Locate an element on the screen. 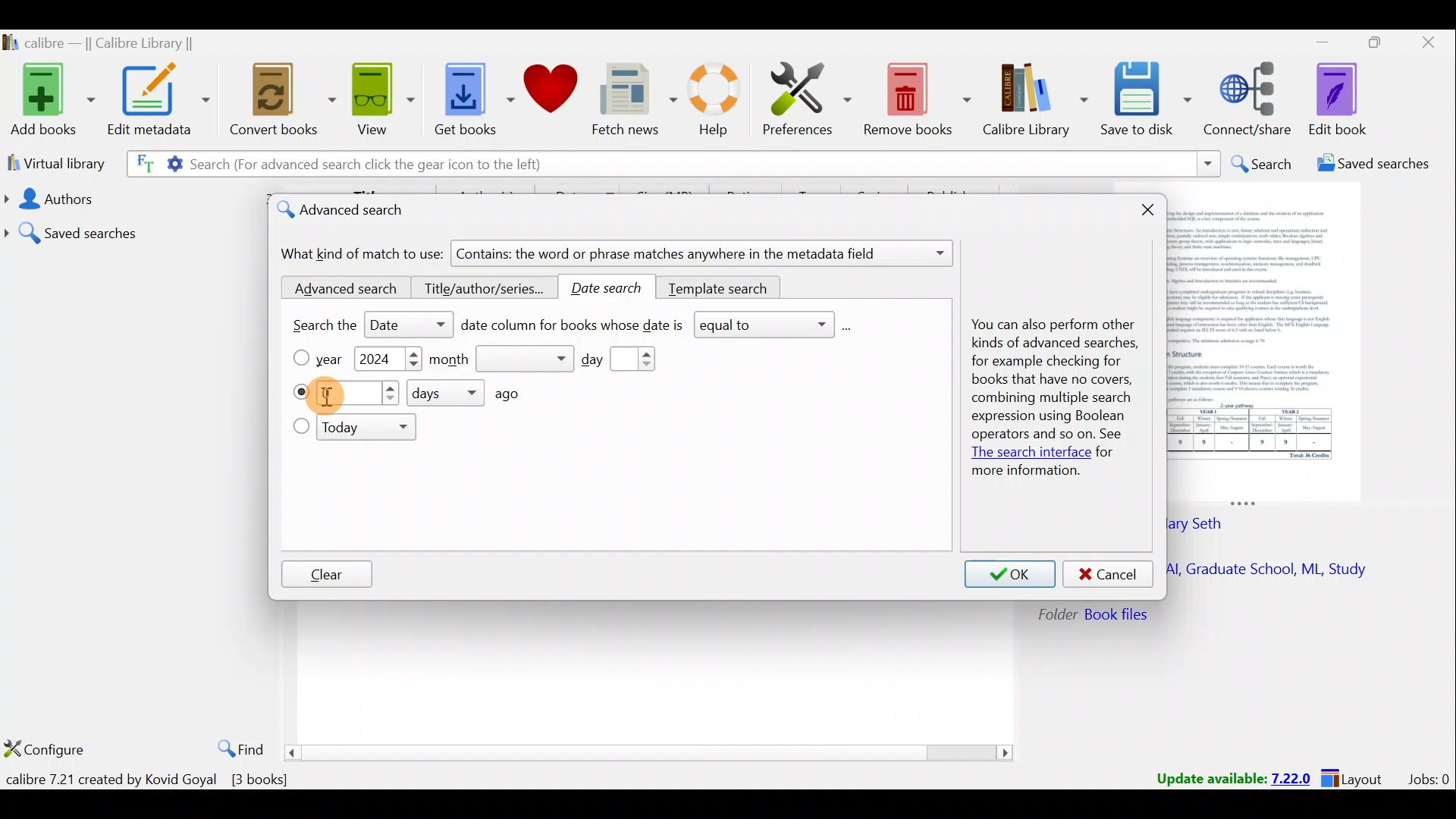 The image size is (1456, 819). Authors is located at coordinates (130, 199).